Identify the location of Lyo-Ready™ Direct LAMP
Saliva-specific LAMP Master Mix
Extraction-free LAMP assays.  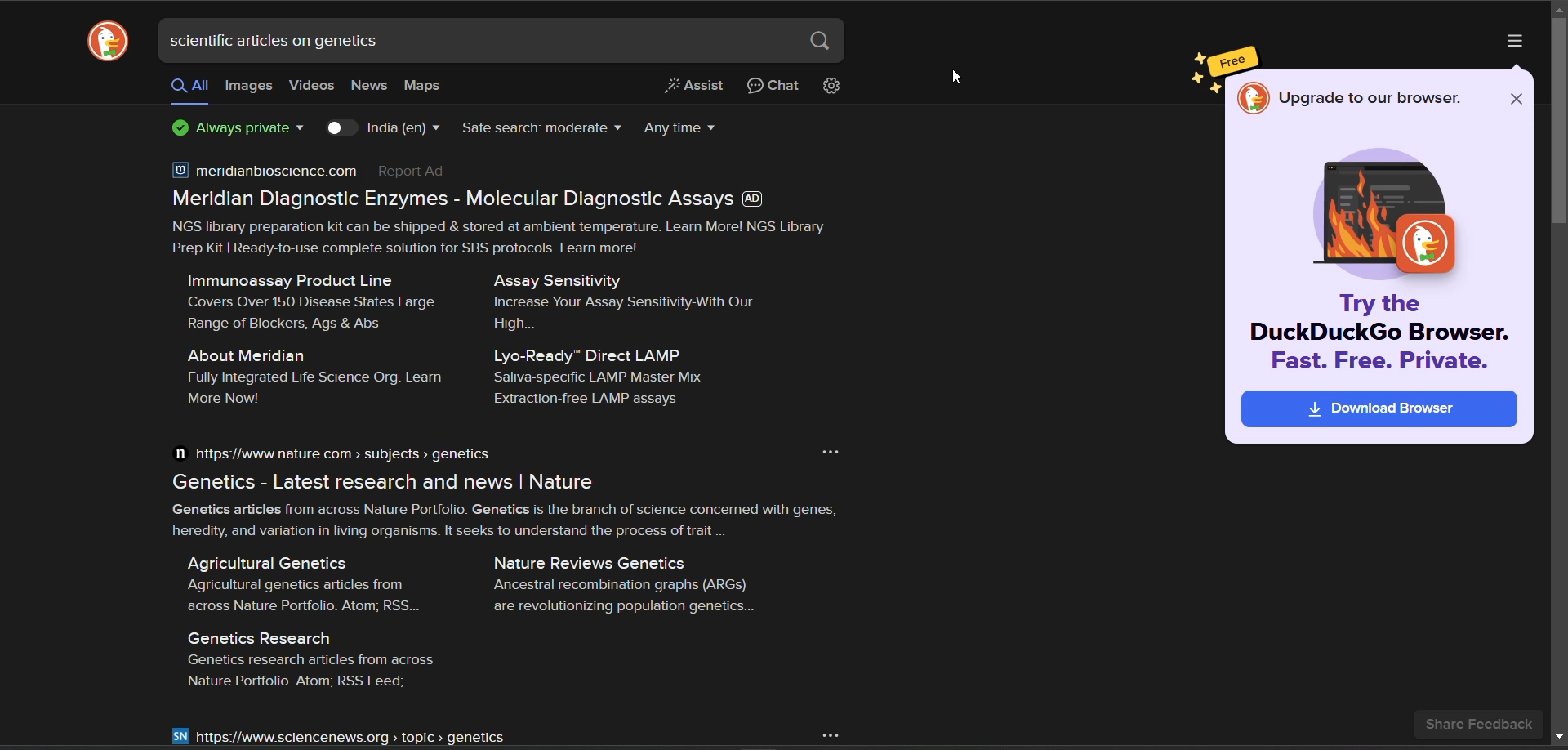
(613, 377).